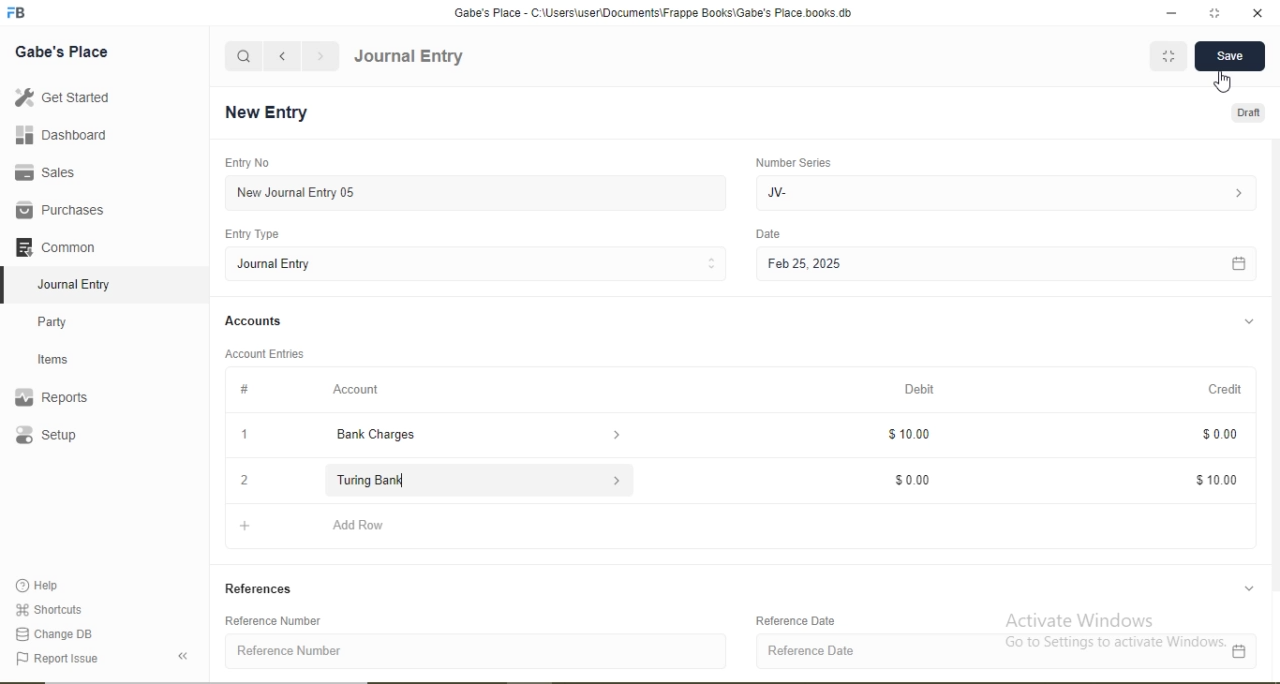  I want to click on Bank Charges, so click(468, 435).